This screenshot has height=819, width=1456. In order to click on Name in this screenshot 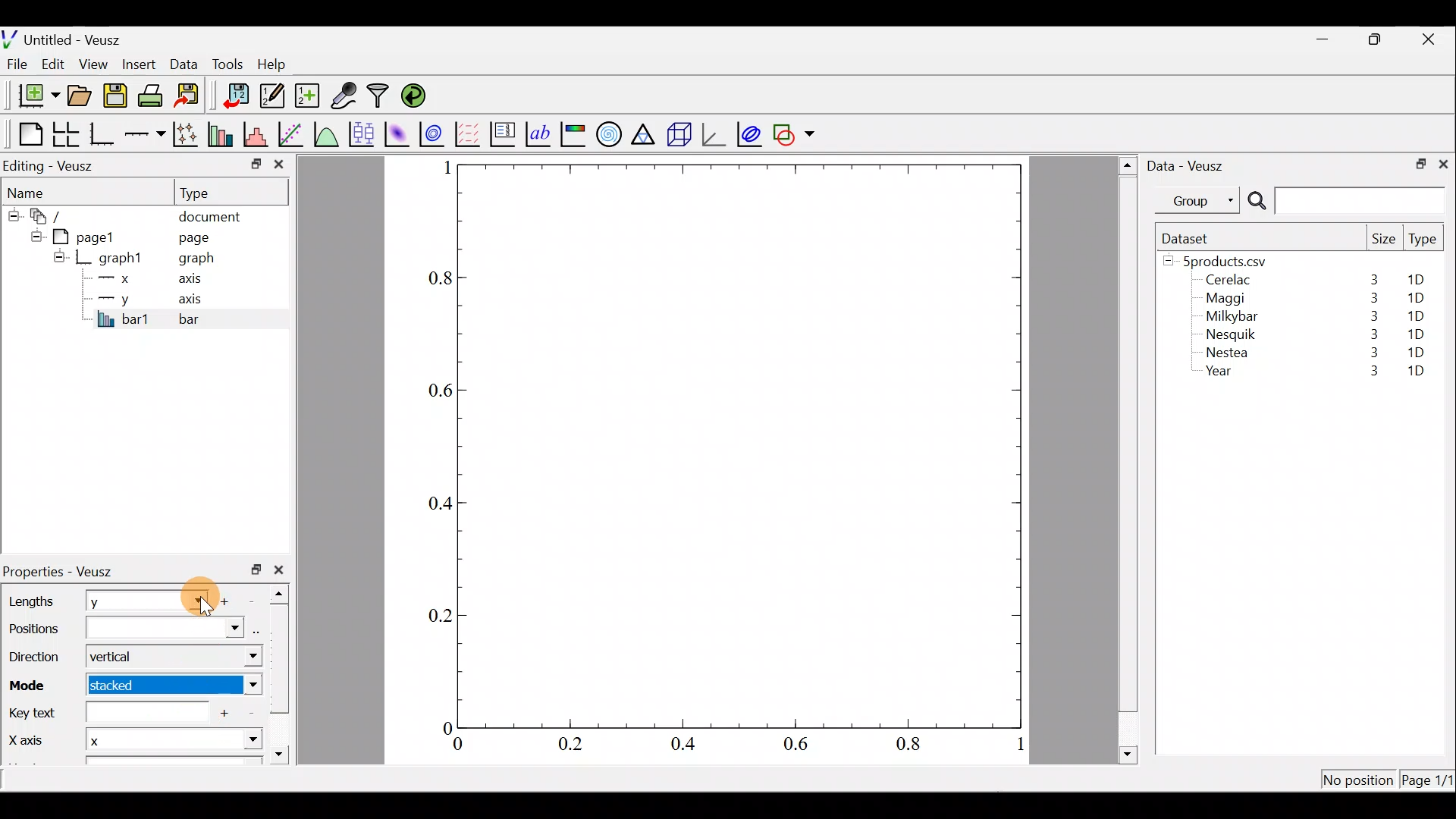, I will do `click(35, 190)`.